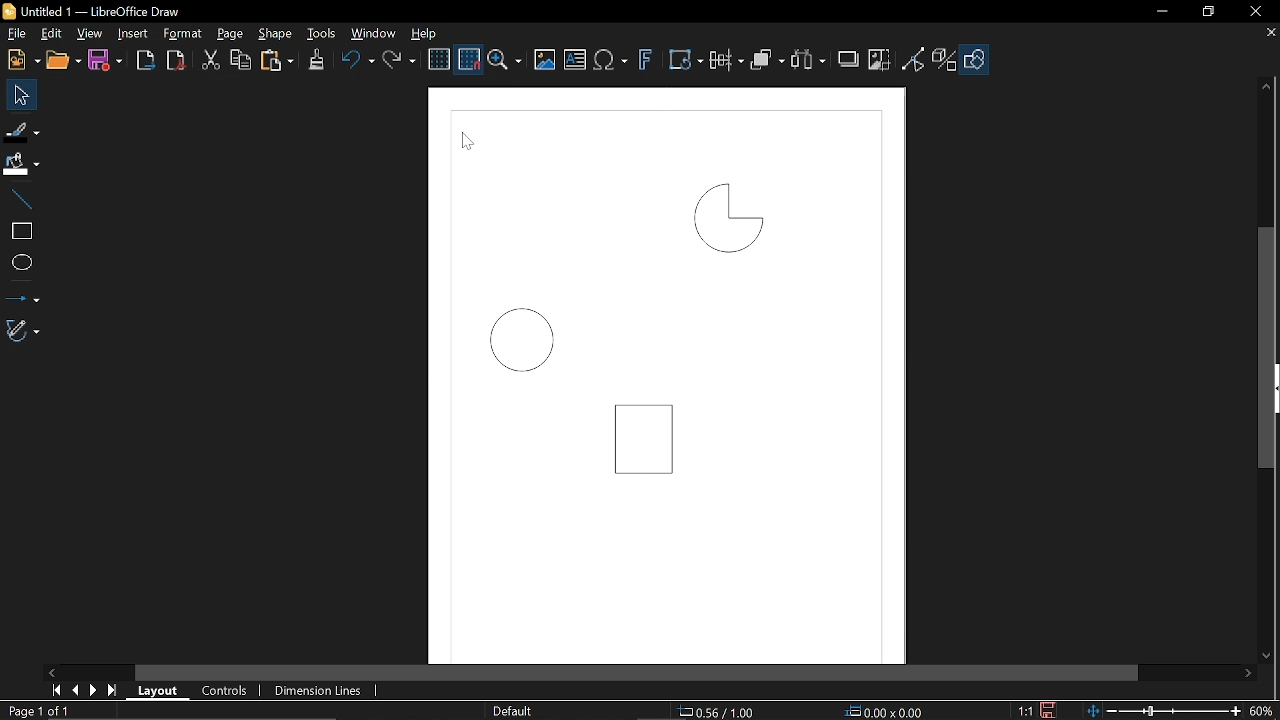 The height and width of the screenshot is (720, 1280). What do you see at coordinates (315, 60) in the screenshot?
I see `Clone` at bounding box center [315, 60].